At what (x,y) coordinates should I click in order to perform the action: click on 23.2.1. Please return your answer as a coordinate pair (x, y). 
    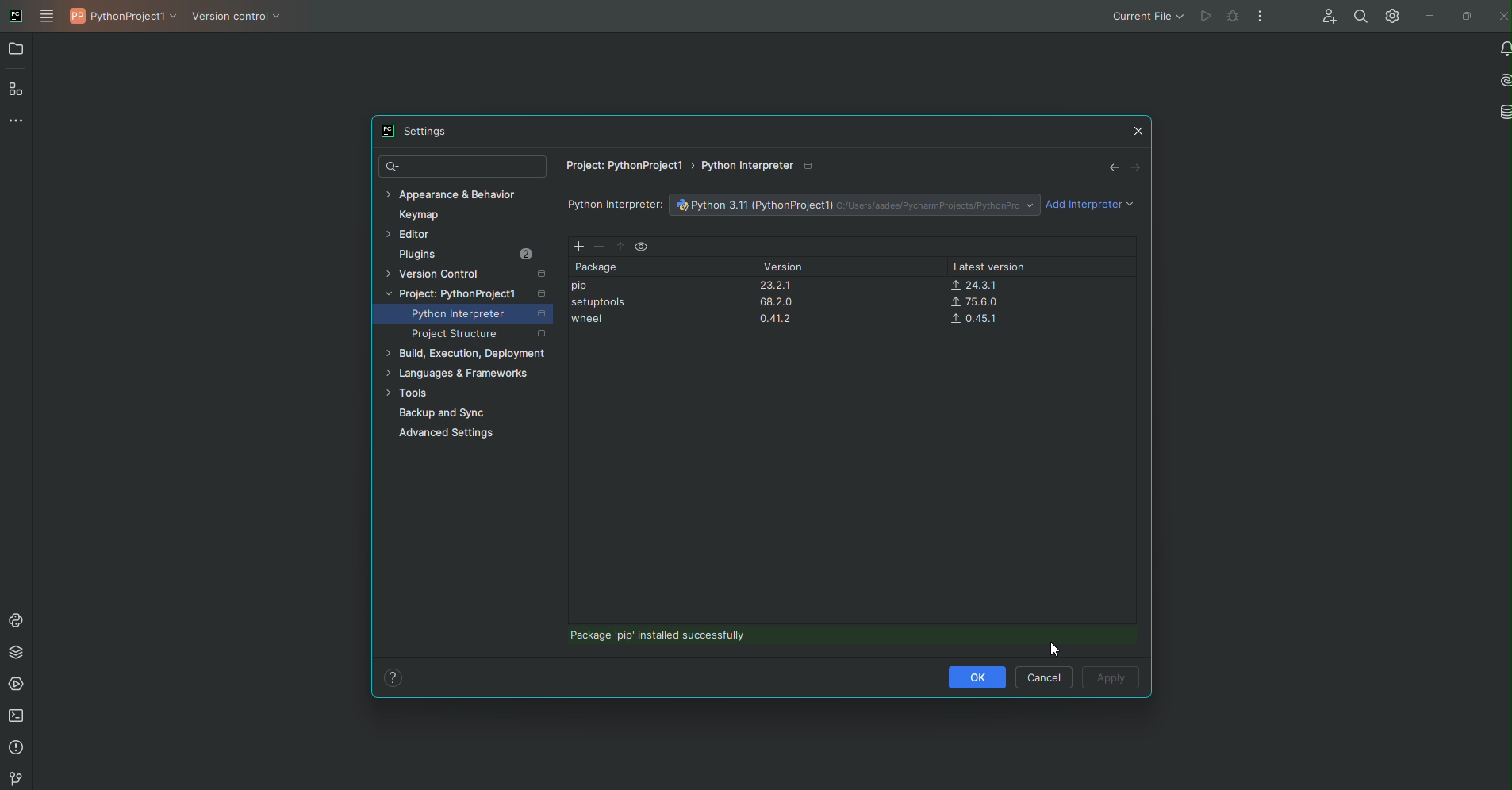
    Looking at the image, I should click on (777, 285).